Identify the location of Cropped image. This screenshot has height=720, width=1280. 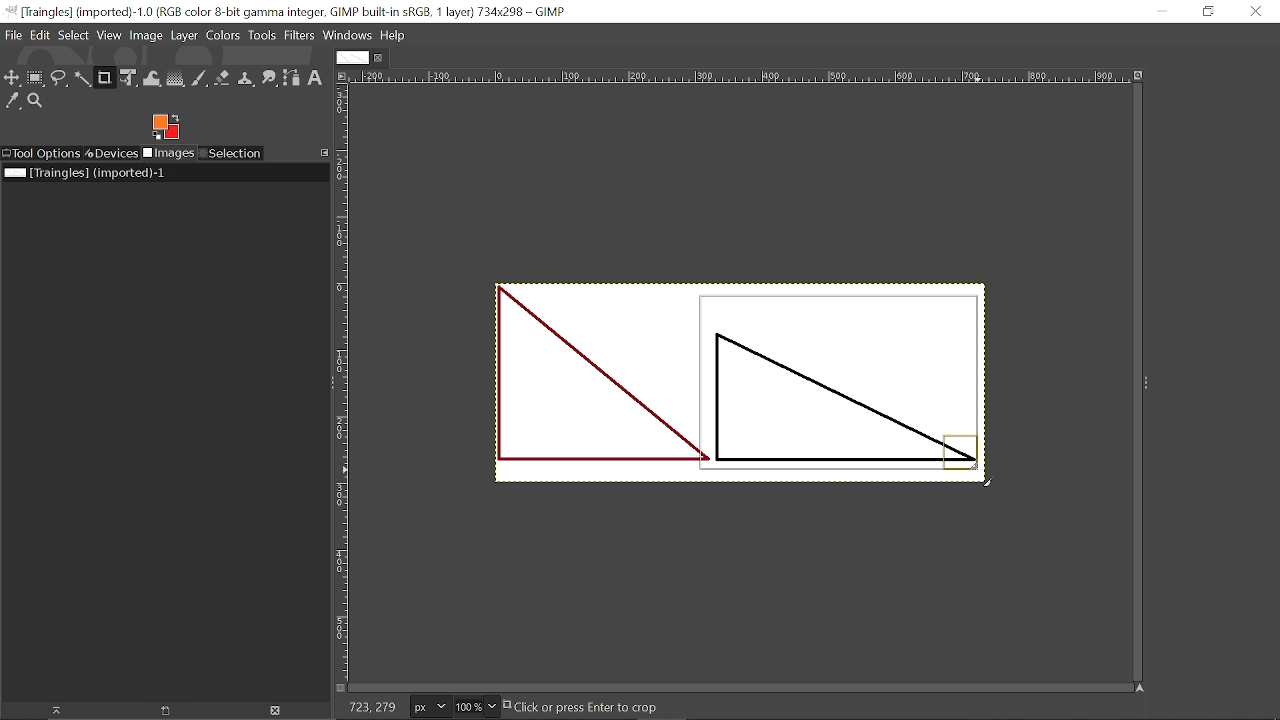
(851, 389).